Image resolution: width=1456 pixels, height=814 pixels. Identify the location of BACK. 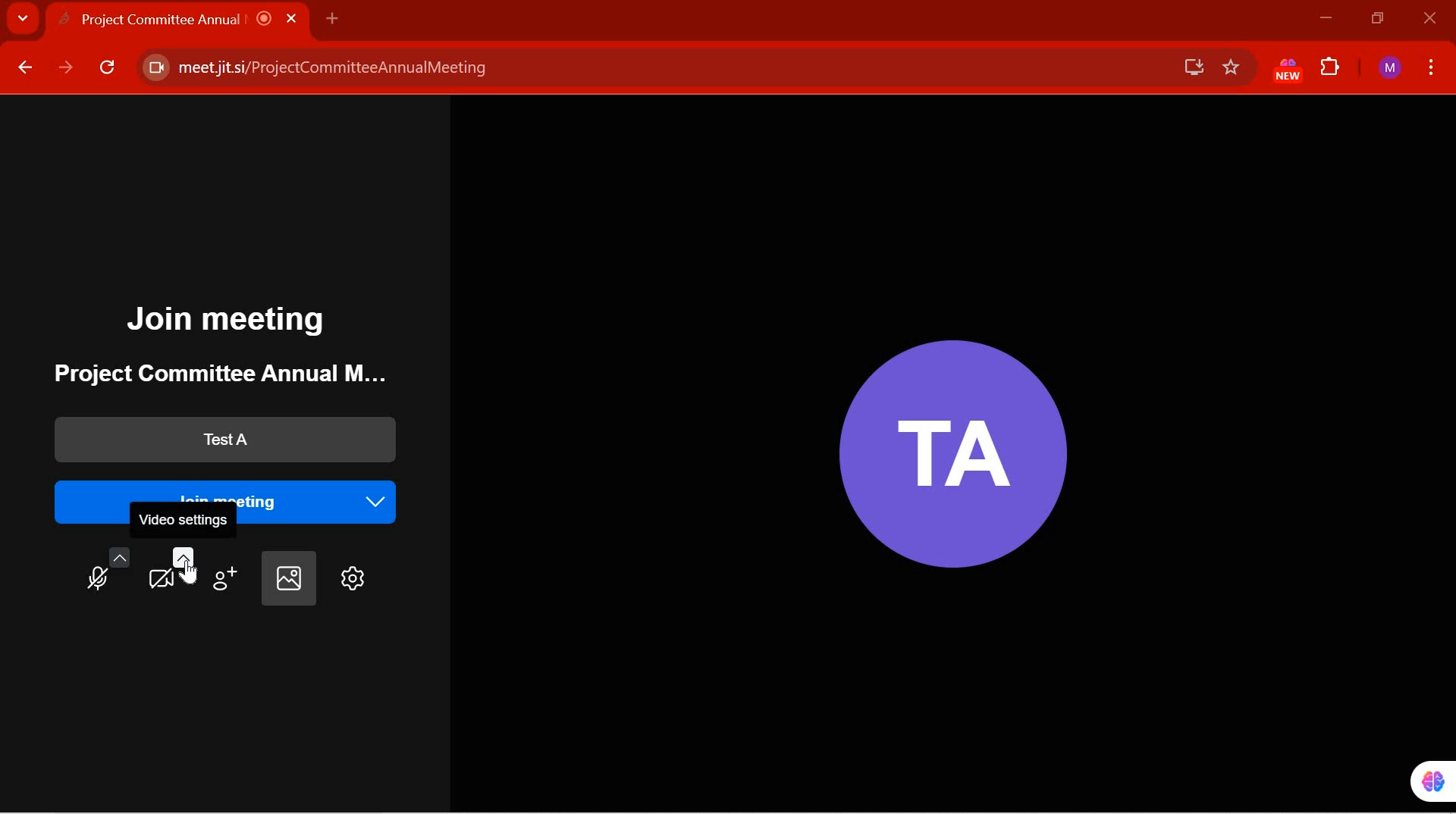
(24, 68).